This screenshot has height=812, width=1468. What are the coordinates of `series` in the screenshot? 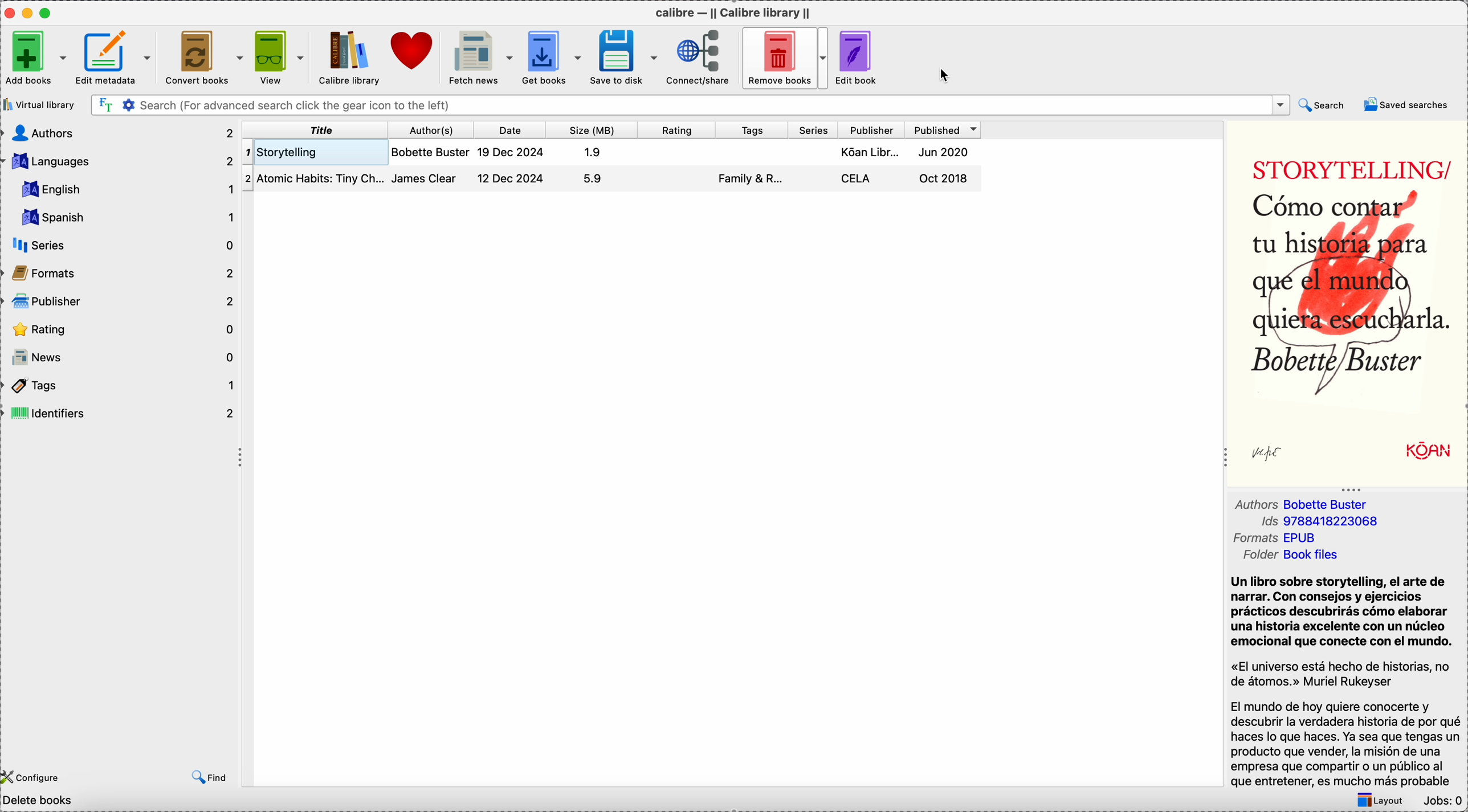 It's located at (121, 246).